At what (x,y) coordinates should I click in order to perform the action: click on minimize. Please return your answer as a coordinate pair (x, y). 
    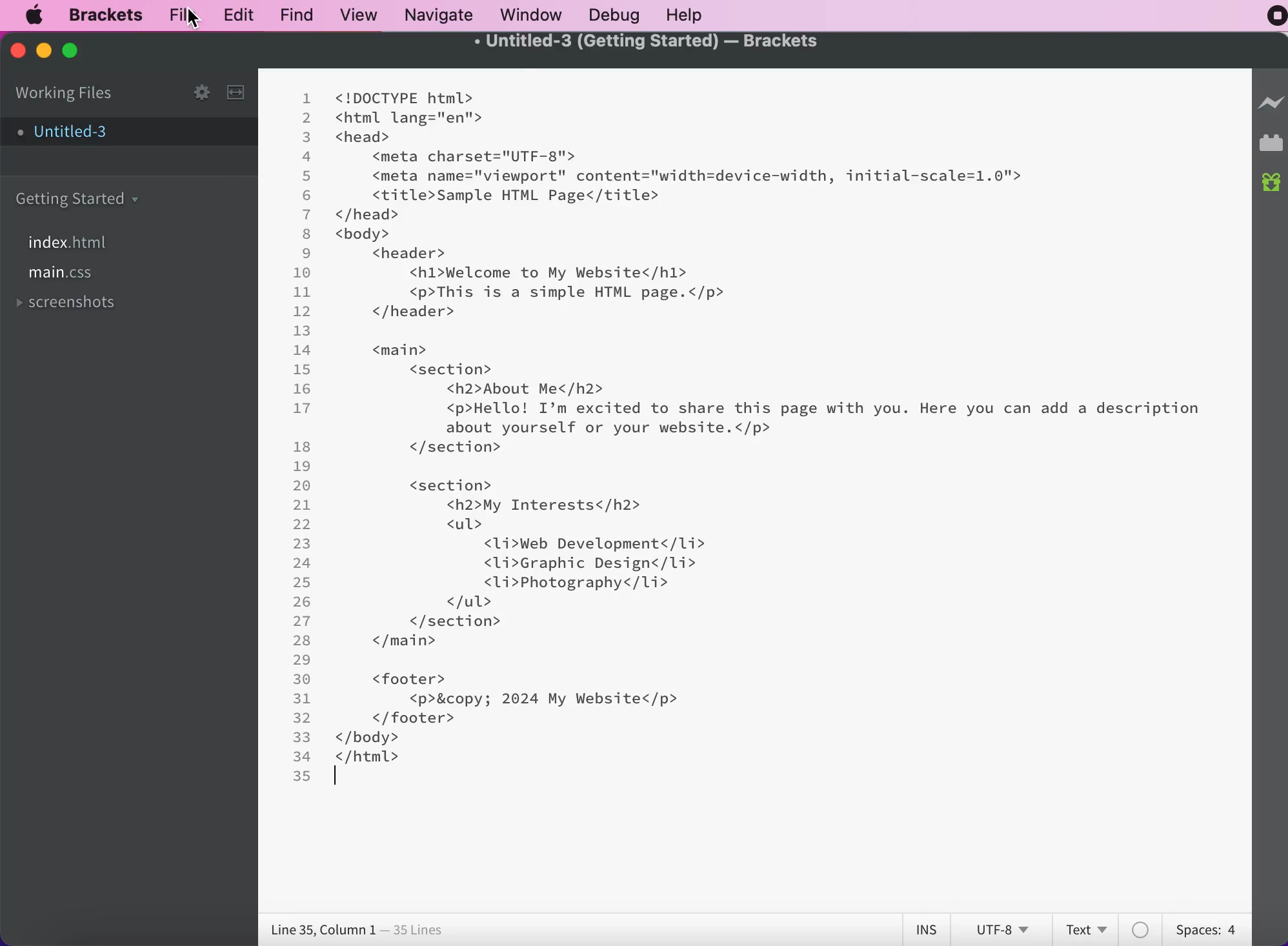
    Looking at the image, I should click on (45, 51).